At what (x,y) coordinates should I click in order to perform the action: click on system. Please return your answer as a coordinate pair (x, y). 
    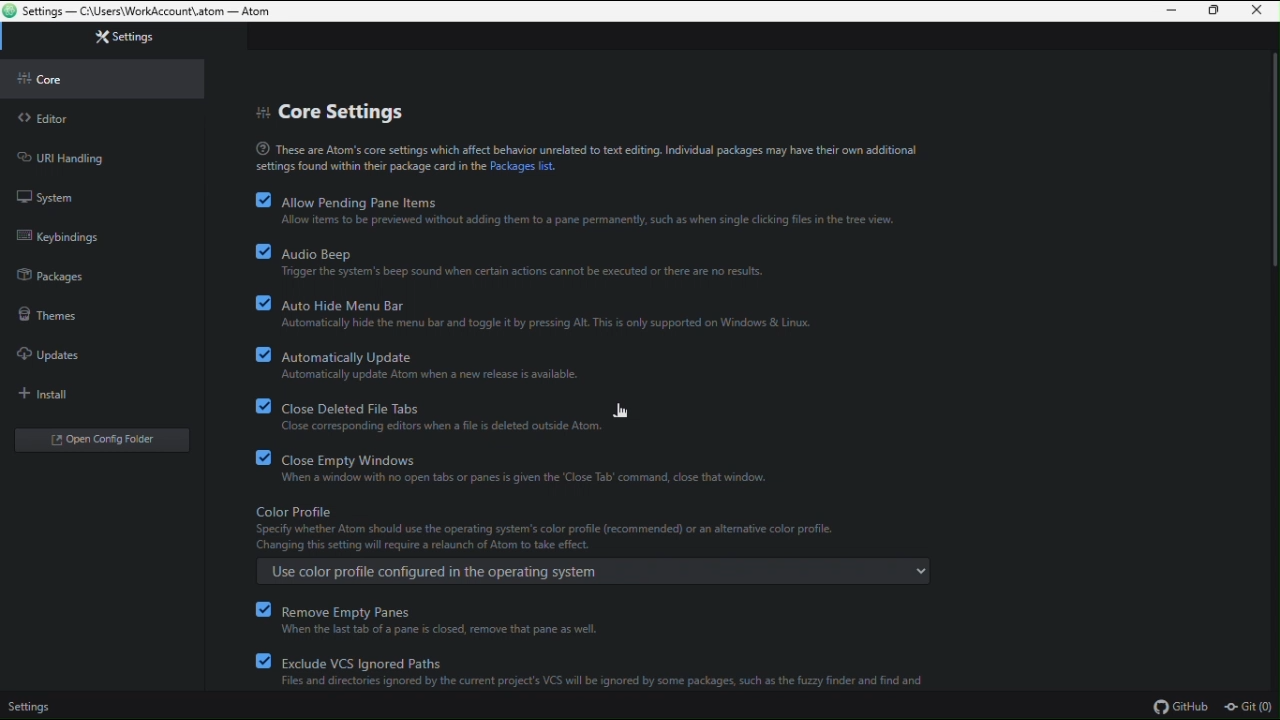
    Looking at the image, I should click on (66, 196).